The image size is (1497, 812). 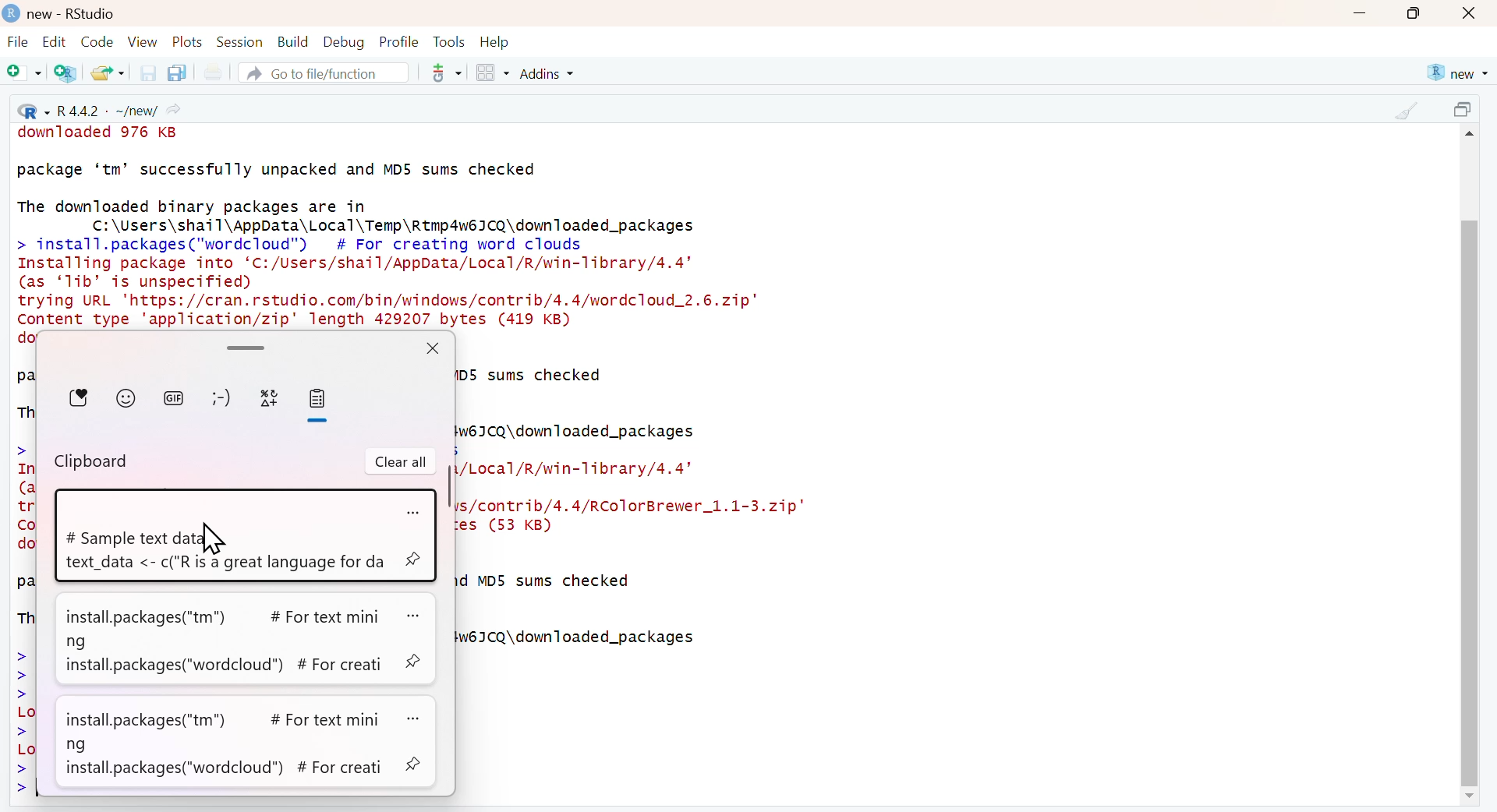 What do you see at coordinates (294, 42) in the screenshot?
I see `Build` at bounding box center [294, 42].